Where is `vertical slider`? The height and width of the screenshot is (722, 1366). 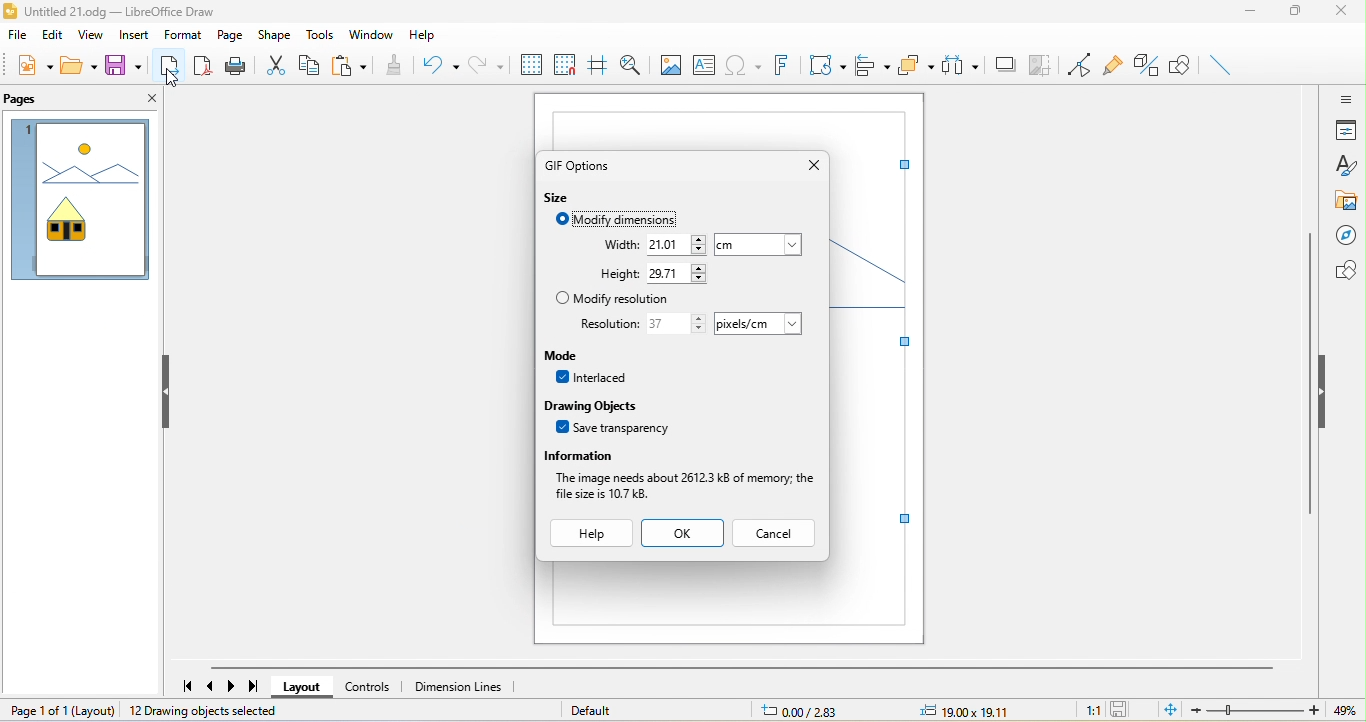 vertical slider is located at coordinates (1310, 373).